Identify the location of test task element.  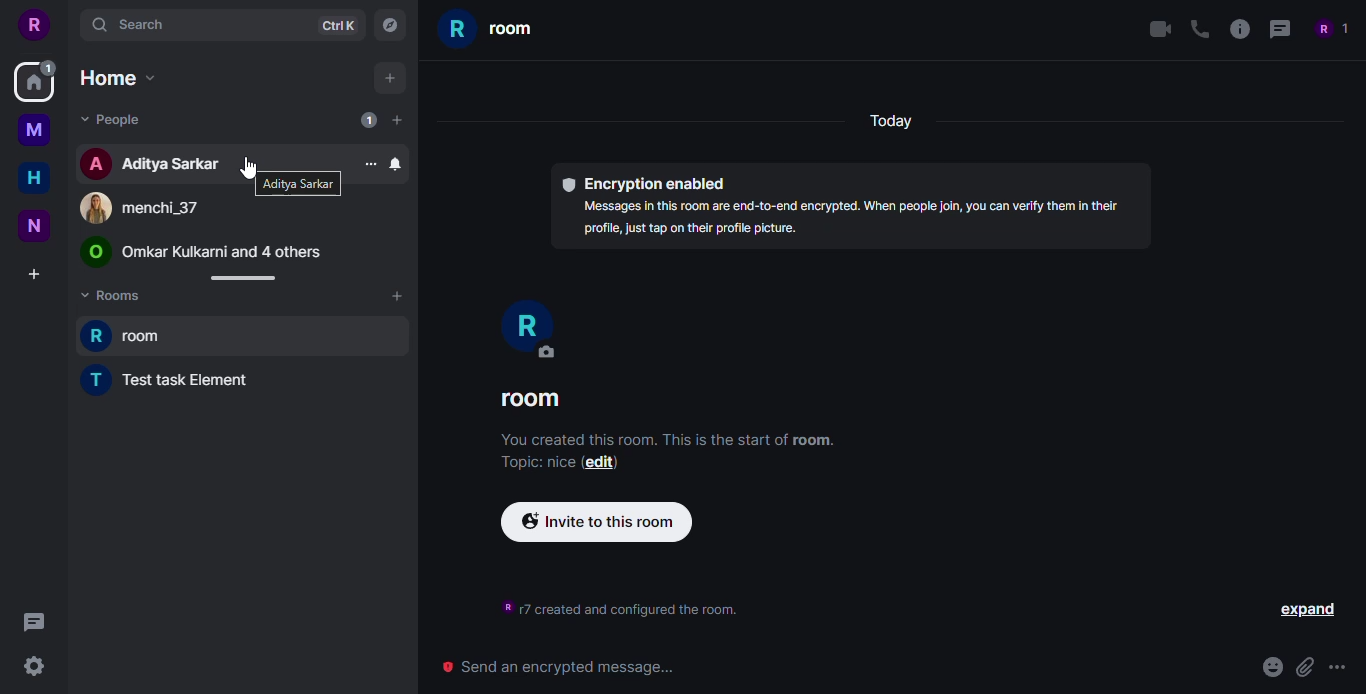
(173, 378).